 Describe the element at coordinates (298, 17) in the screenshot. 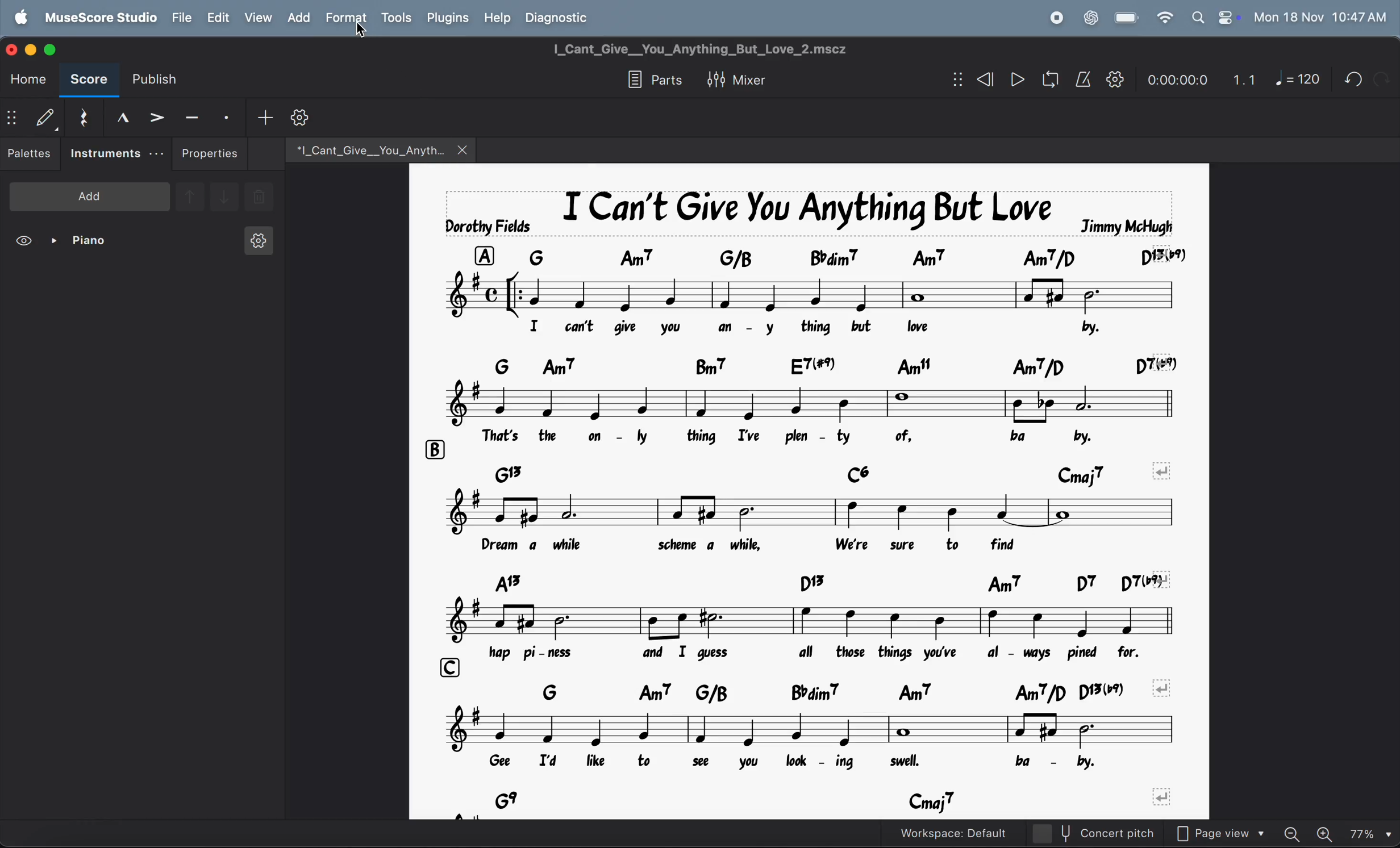

I see `add` at that location.